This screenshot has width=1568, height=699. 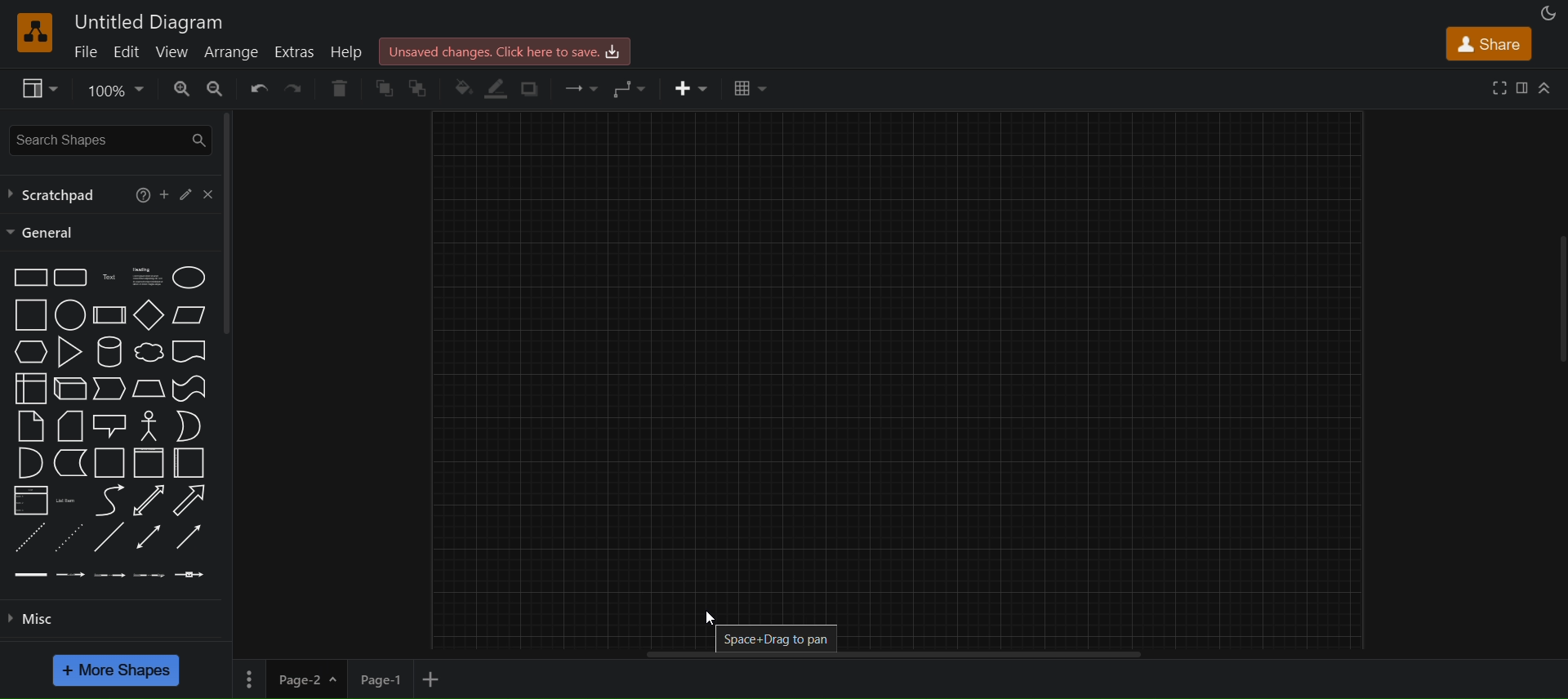 I want to click on edit, so click(x=127, y=52).